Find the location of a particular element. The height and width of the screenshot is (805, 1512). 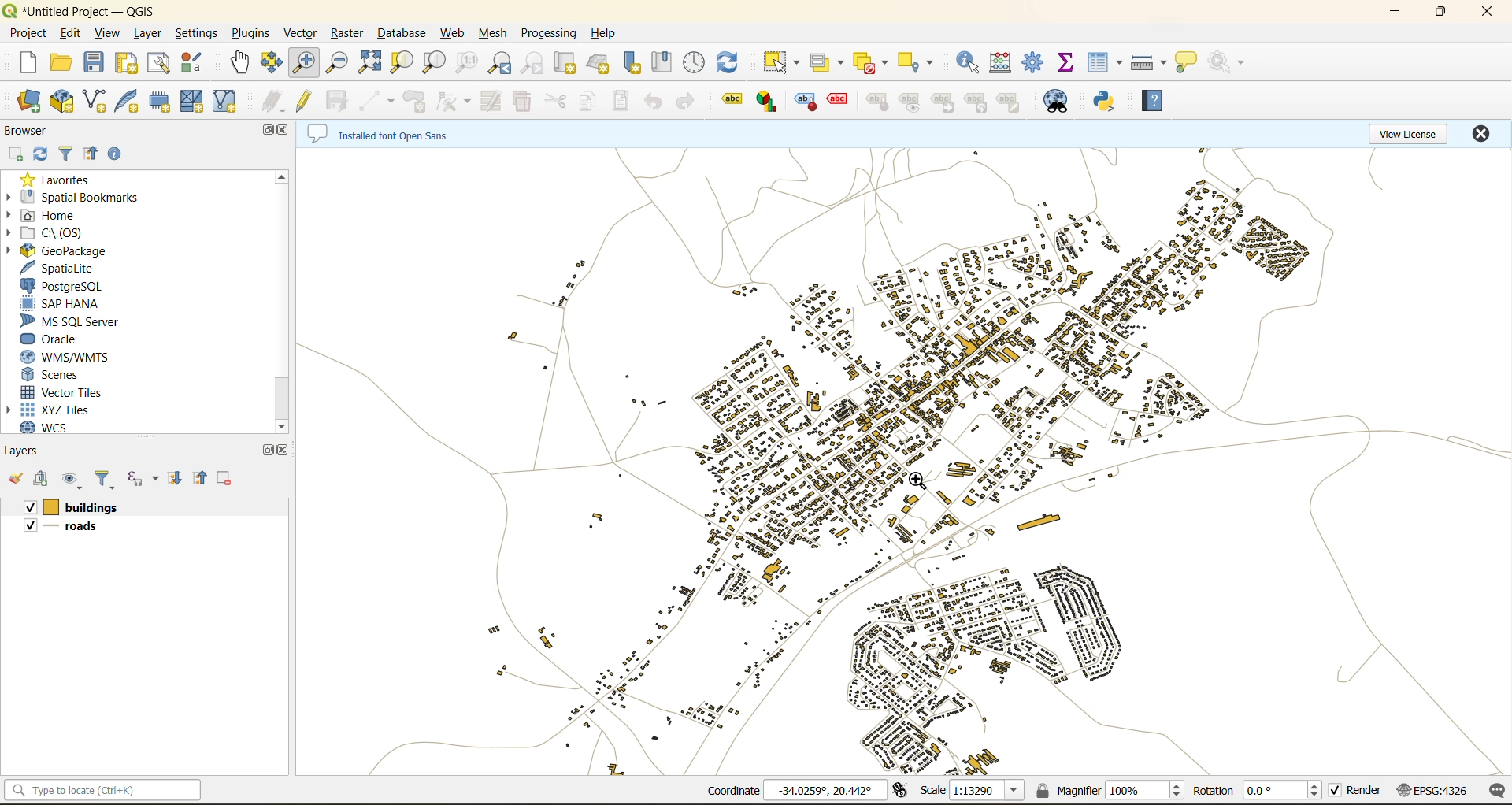

deselect value is located at coordinates (873, 62).